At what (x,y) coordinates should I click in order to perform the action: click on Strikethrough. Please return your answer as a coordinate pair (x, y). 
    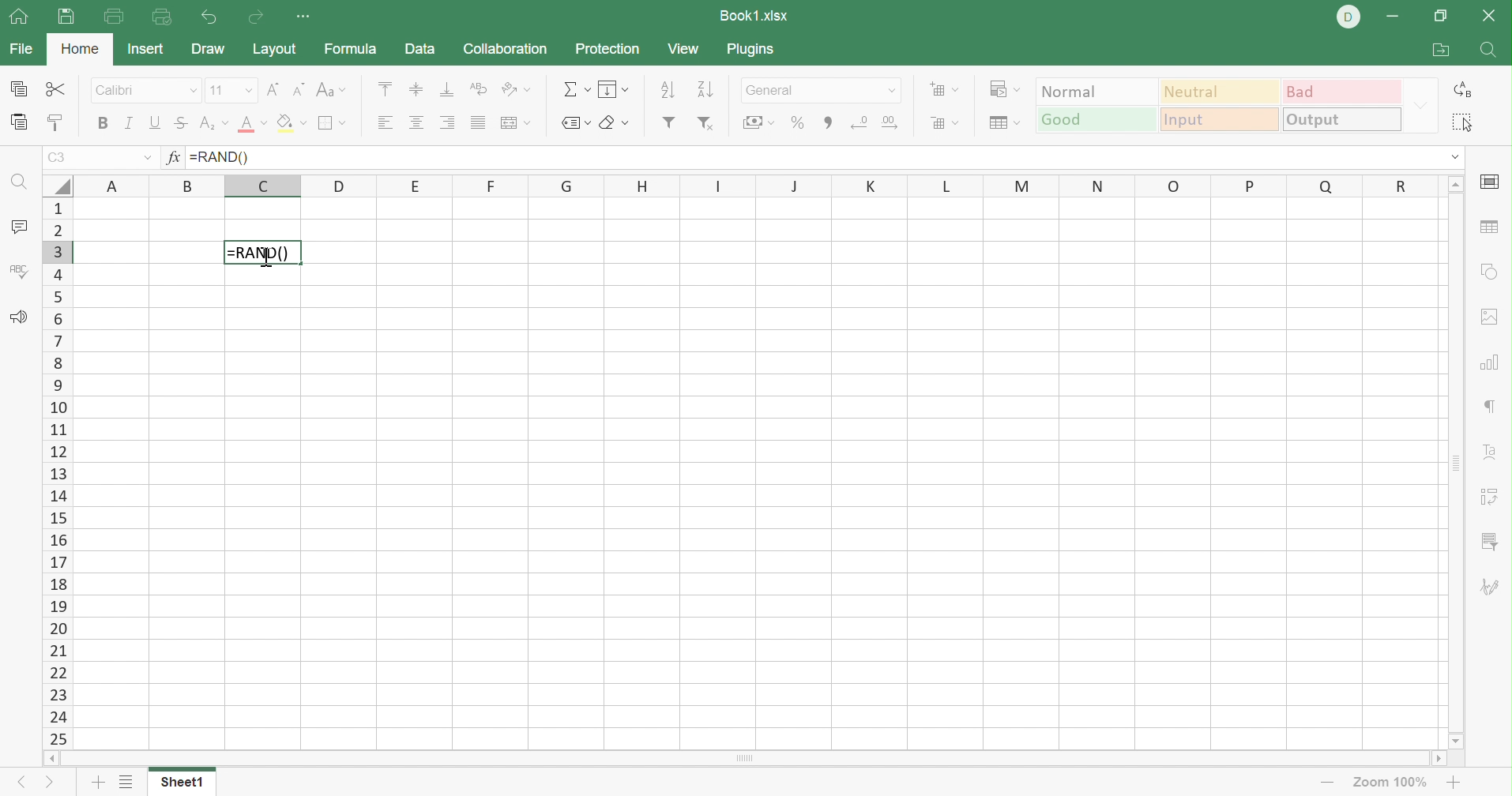
    Looking at the image, I should click on (181, 123).